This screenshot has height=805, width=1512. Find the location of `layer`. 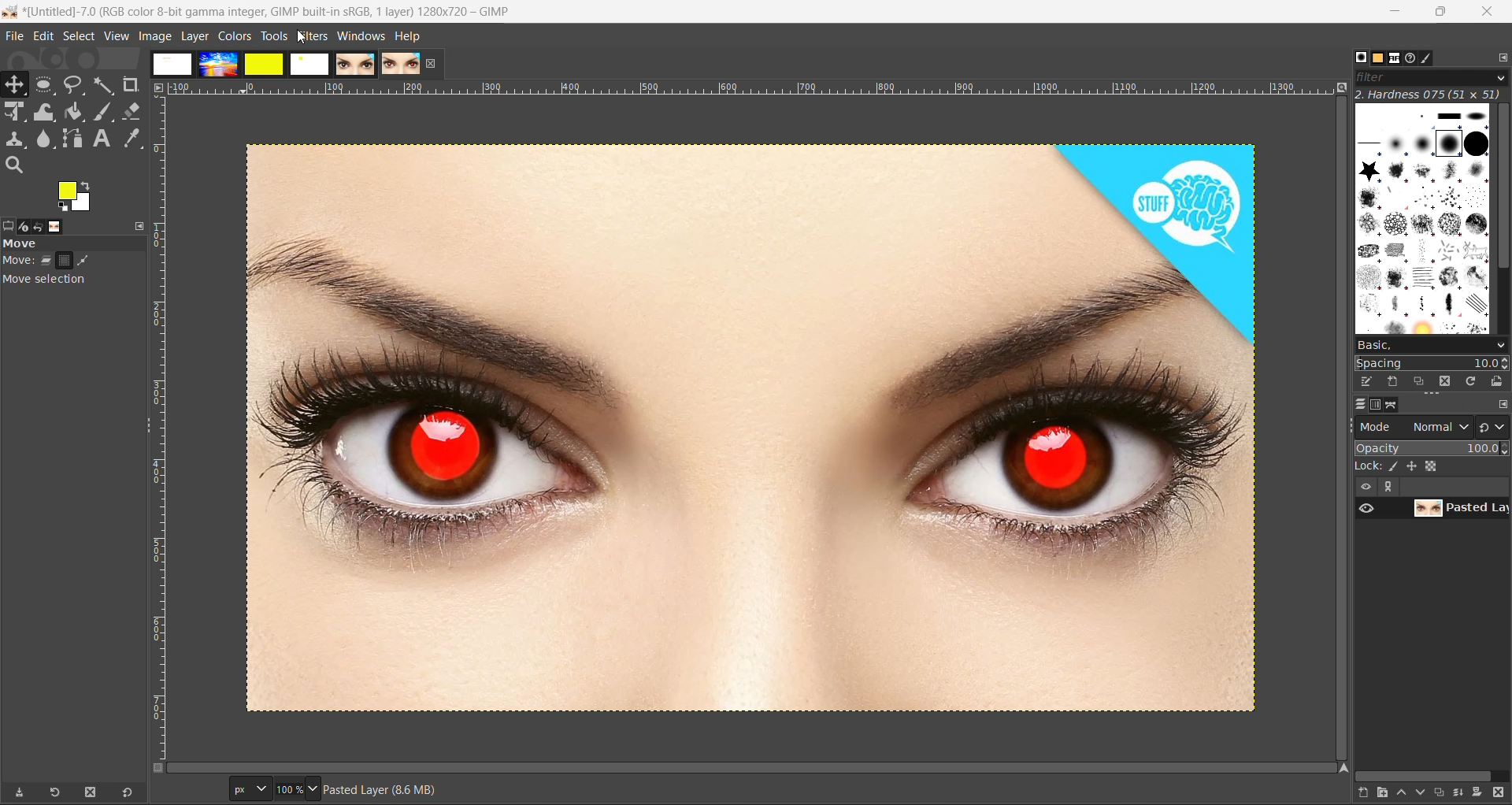

layer is located at coordinates (1462, 508).